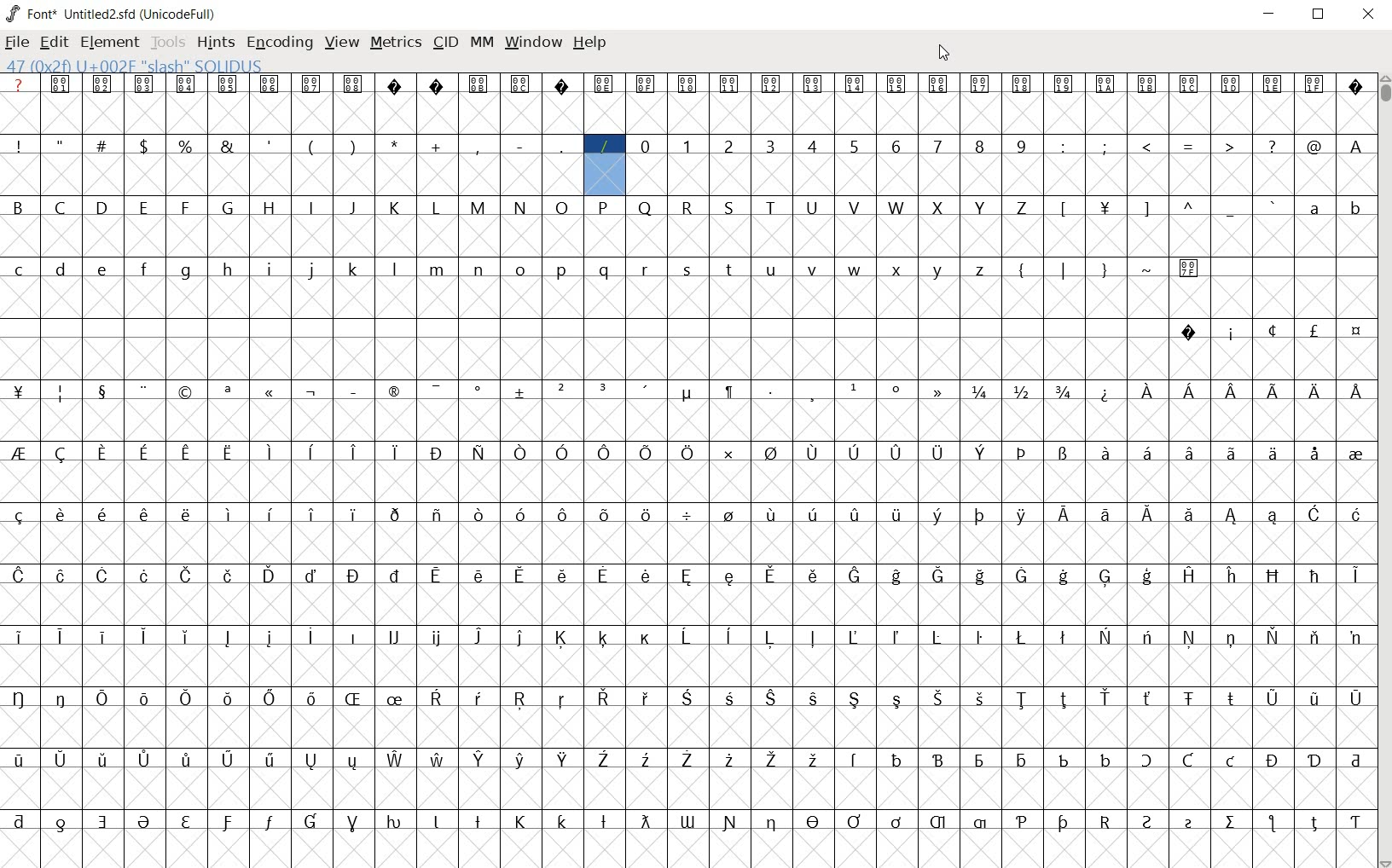 The width and height of the screenshot is (1392, 868). What do you see at coordinates (896, 576) in the screenshot?
I see `glyph` at bounding box center [896, 576].